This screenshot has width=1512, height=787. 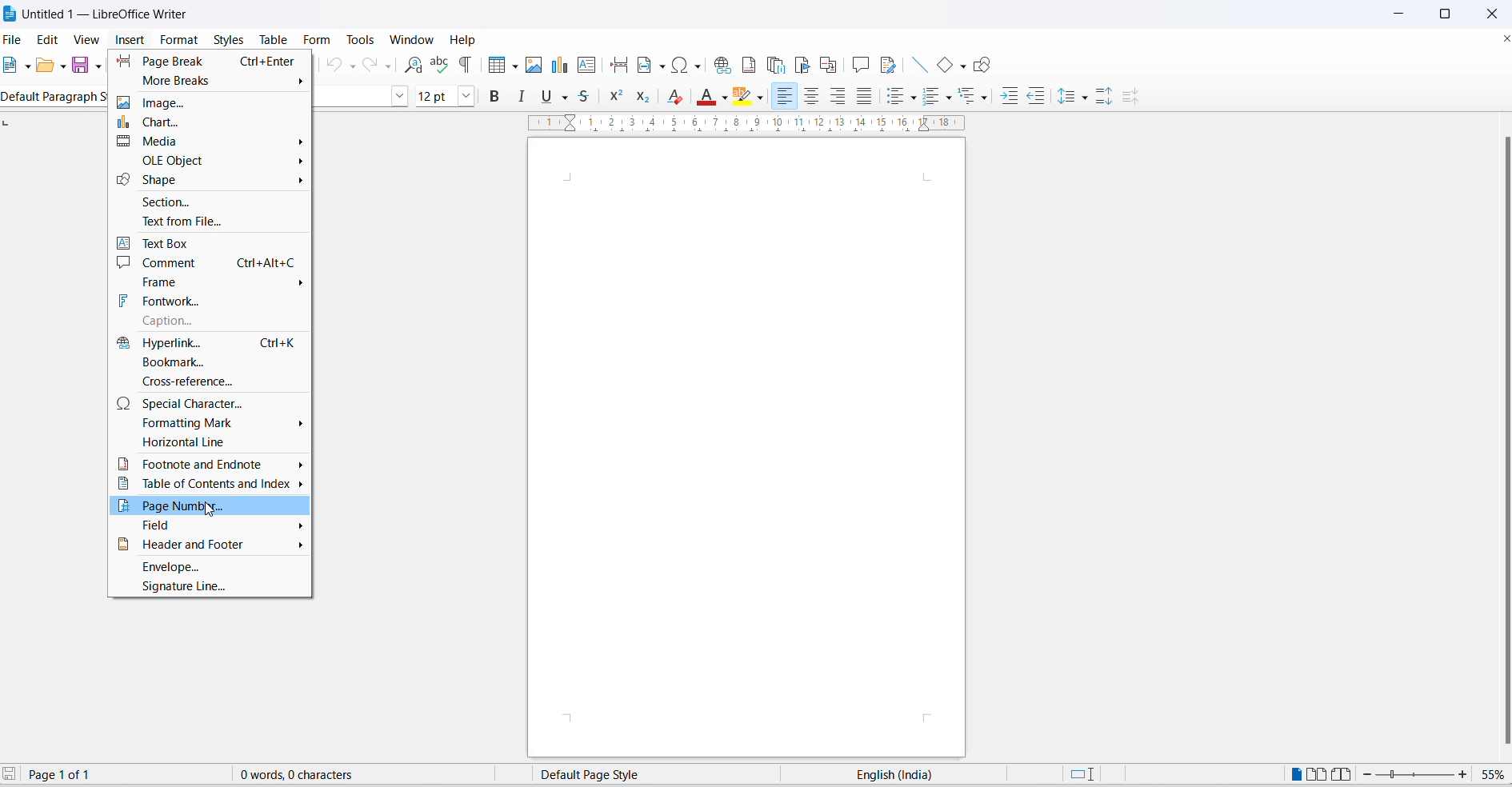 What do you see at coordinates (1010, 98) in the screenshot?
I see `increase indent` at bounding box center [1010, 98].